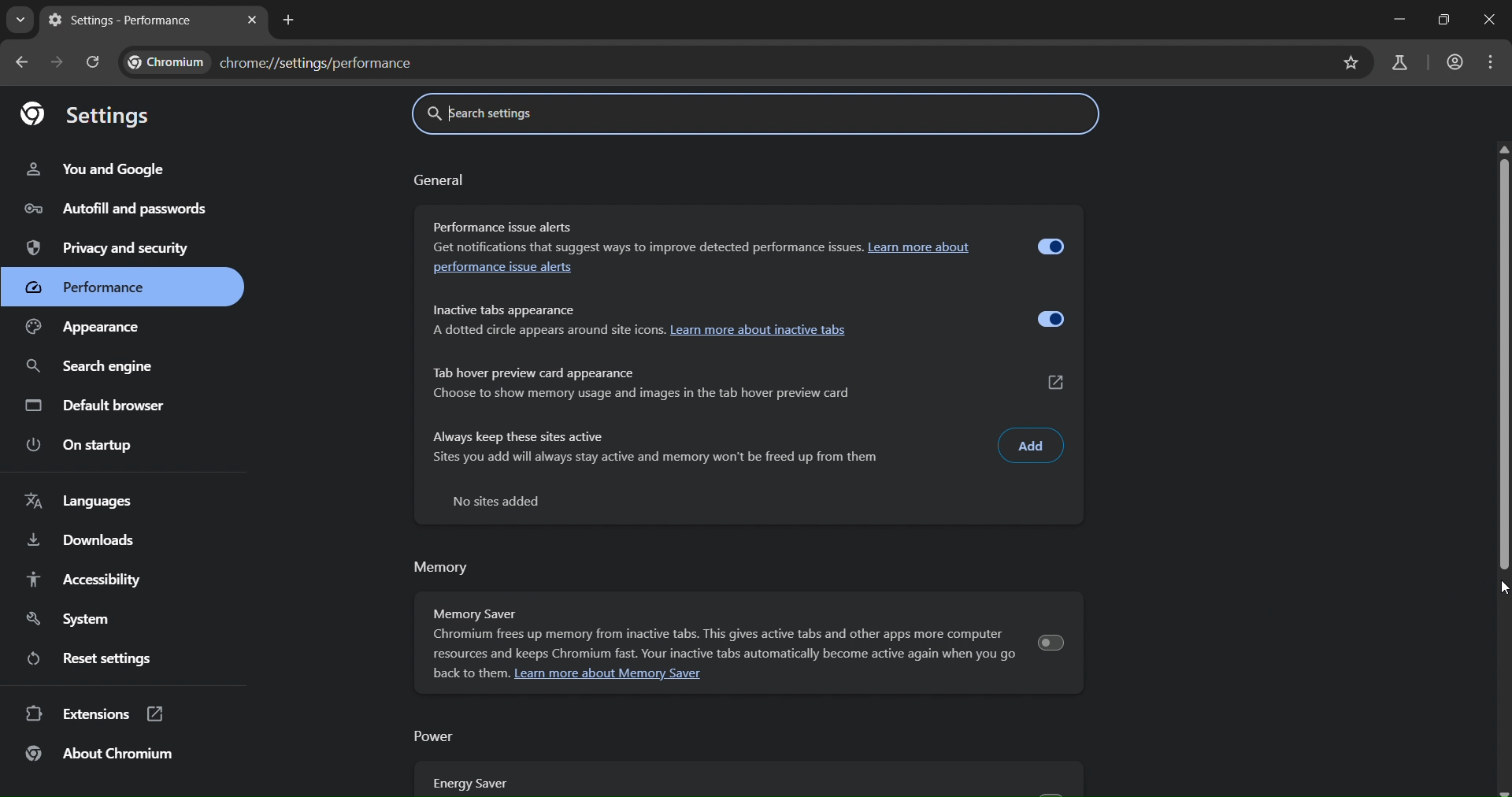 This screenshot has width=1512, height=797. Describe the element at coordinates (512, 228) in the screenshot. I see `Performance issue alerts` at that location.